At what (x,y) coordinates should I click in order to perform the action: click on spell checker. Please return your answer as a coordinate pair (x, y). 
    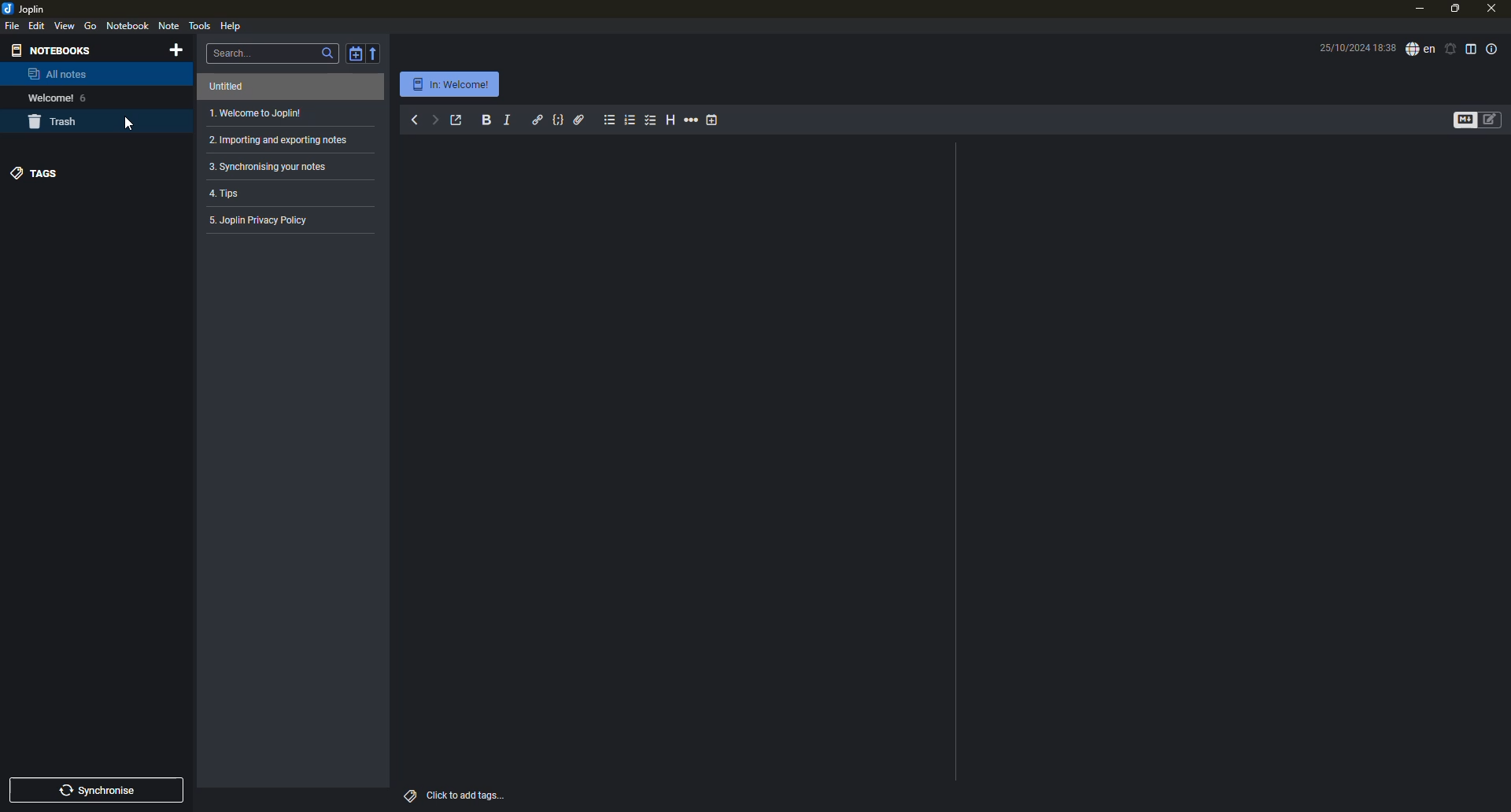
    Looking at the image, I should click on (1419, 50).